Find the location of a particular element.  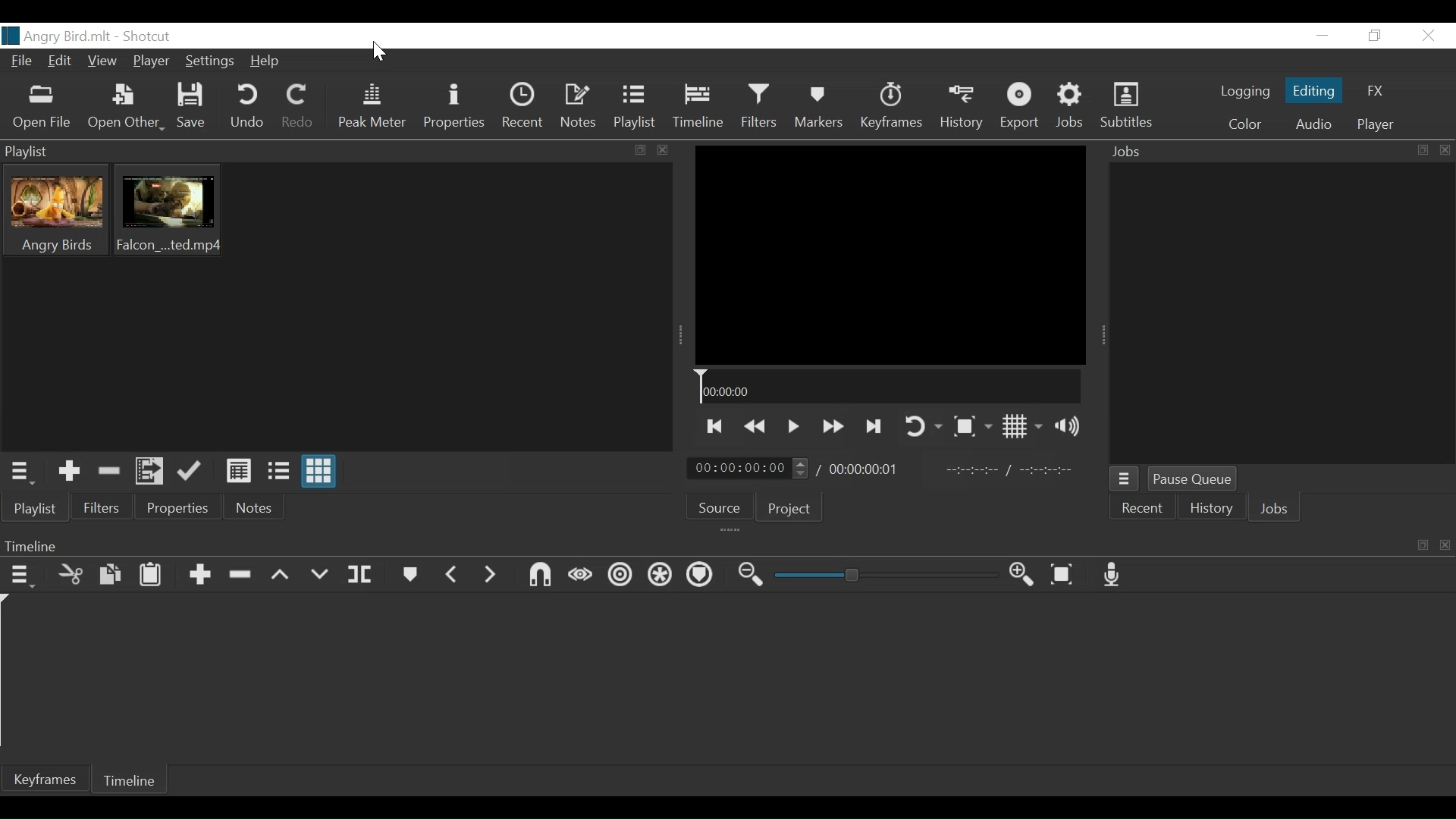

Paste is located at coordinates (152, 575).